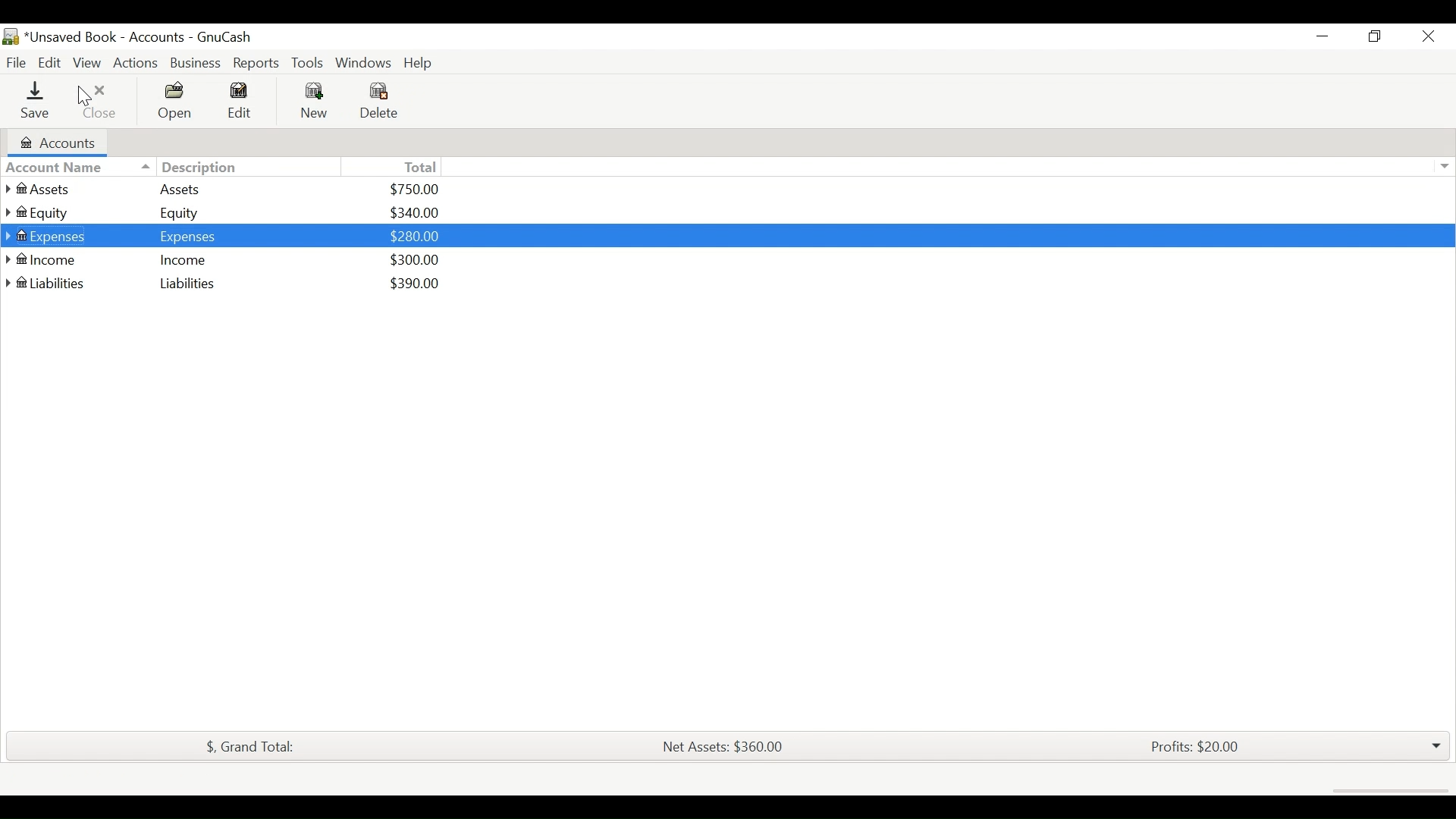 The height and width of the screenshot is (819, 1456). What do you see at coordinates (189, 190) in the screenshot?
I see `Assets` at bounding box center [189, 190].